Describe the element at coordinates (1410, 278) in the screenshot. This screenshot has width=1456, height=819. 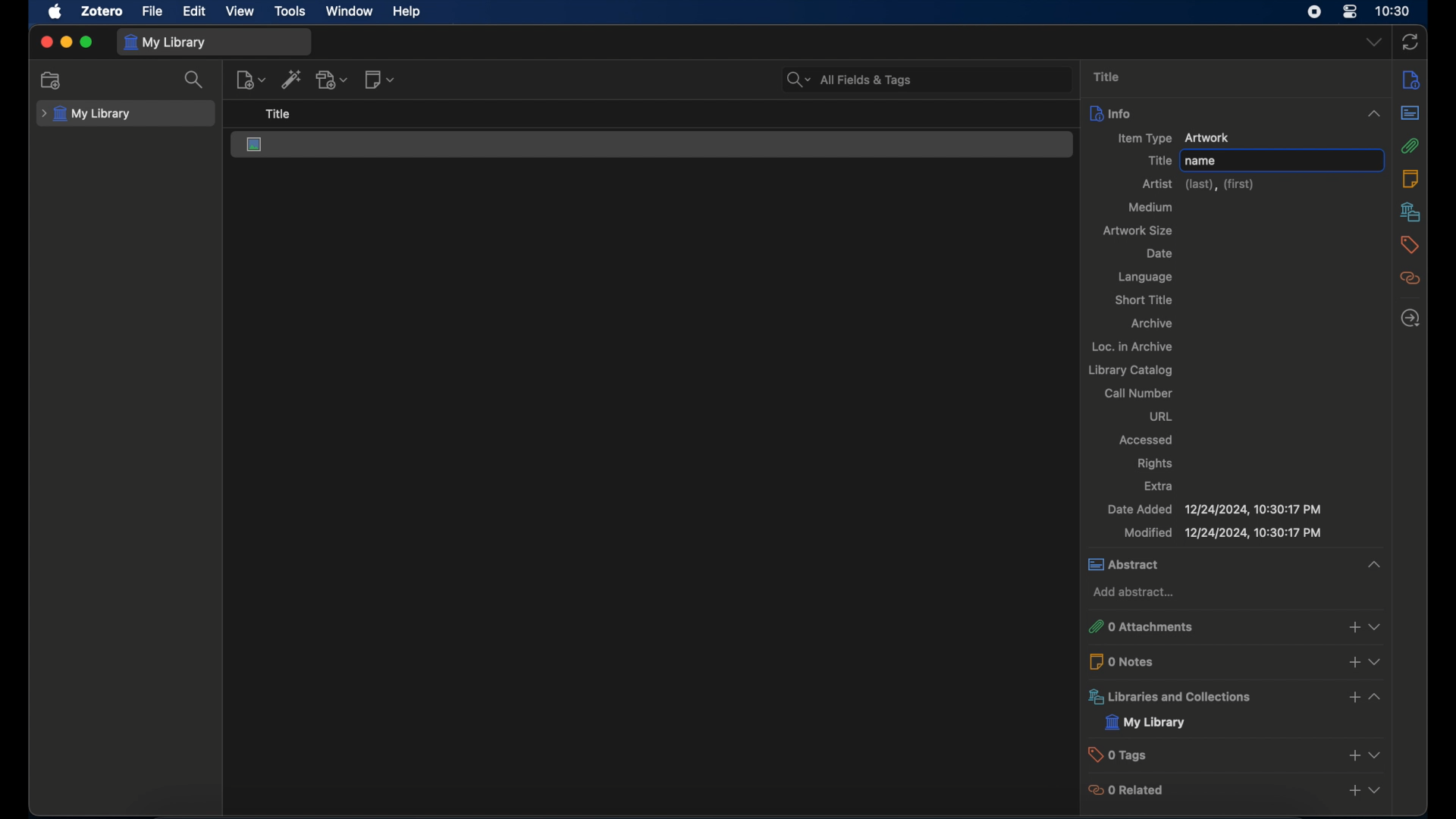
I see `related` at that location.